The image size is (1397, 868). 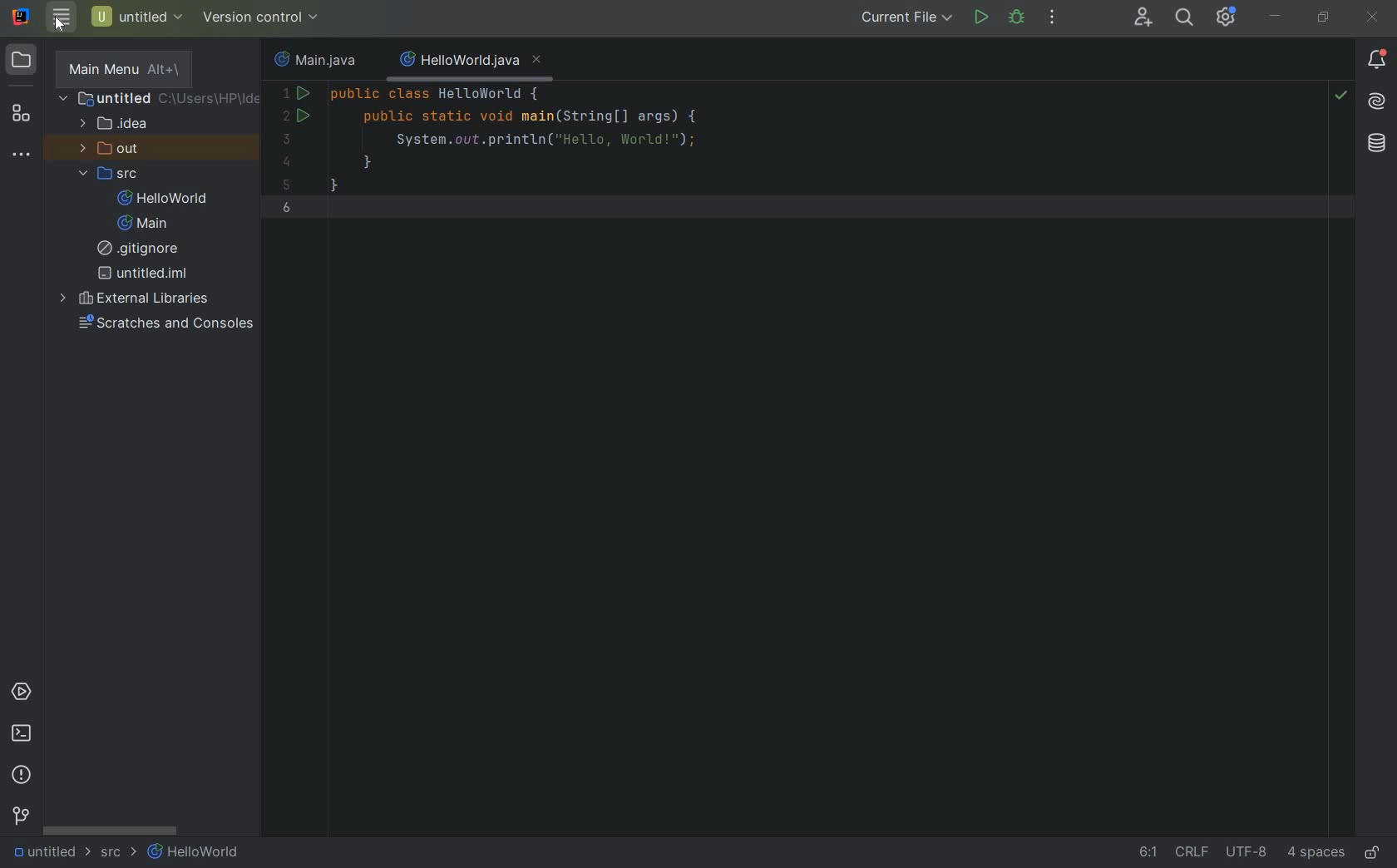 I want to click on EXTERNAL LIBRARIES, so click(x=157, y=298).